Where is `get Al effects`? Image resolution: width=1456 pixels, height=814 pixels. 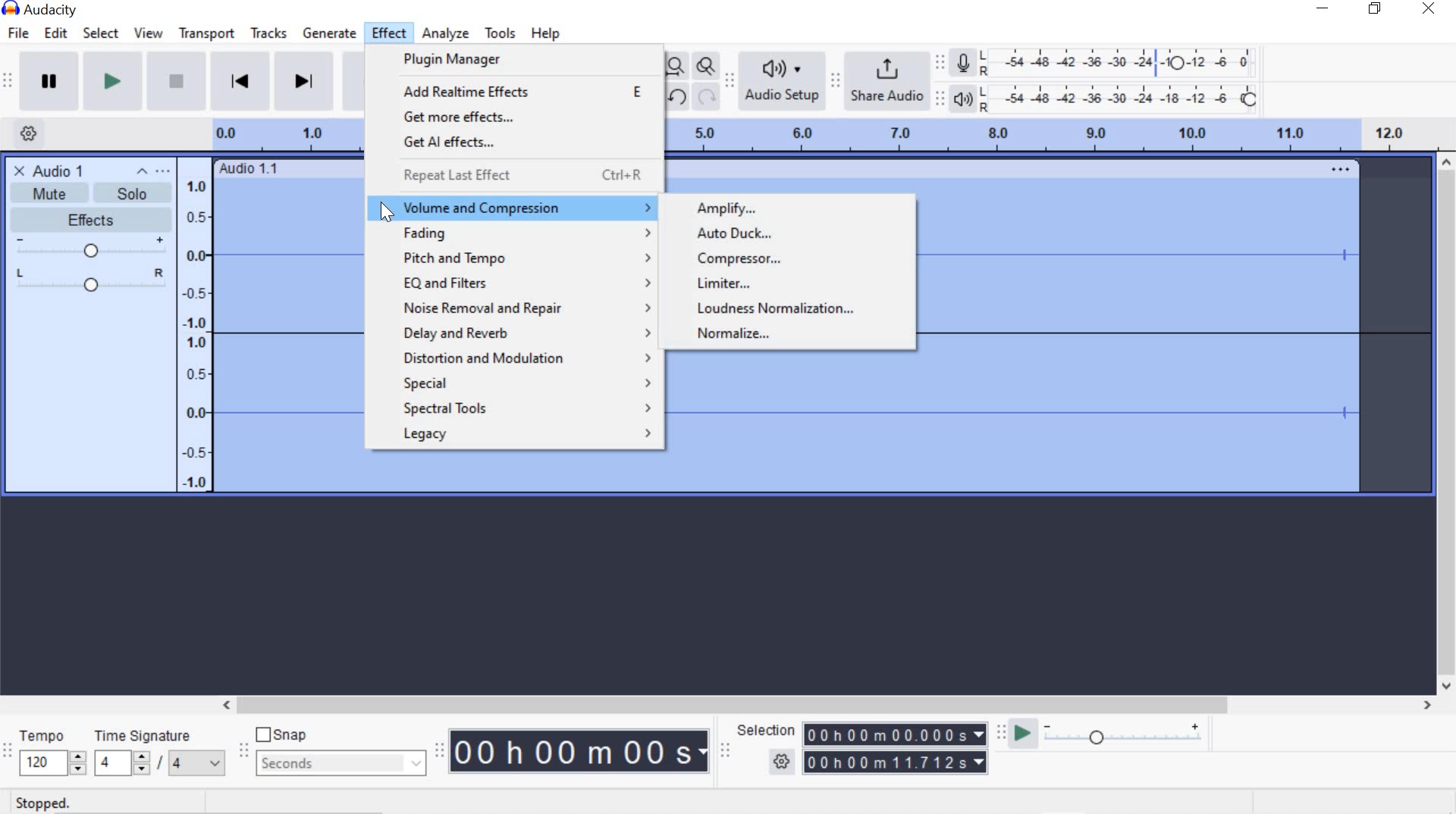
get Al effects is located at coordinates (520, 143).